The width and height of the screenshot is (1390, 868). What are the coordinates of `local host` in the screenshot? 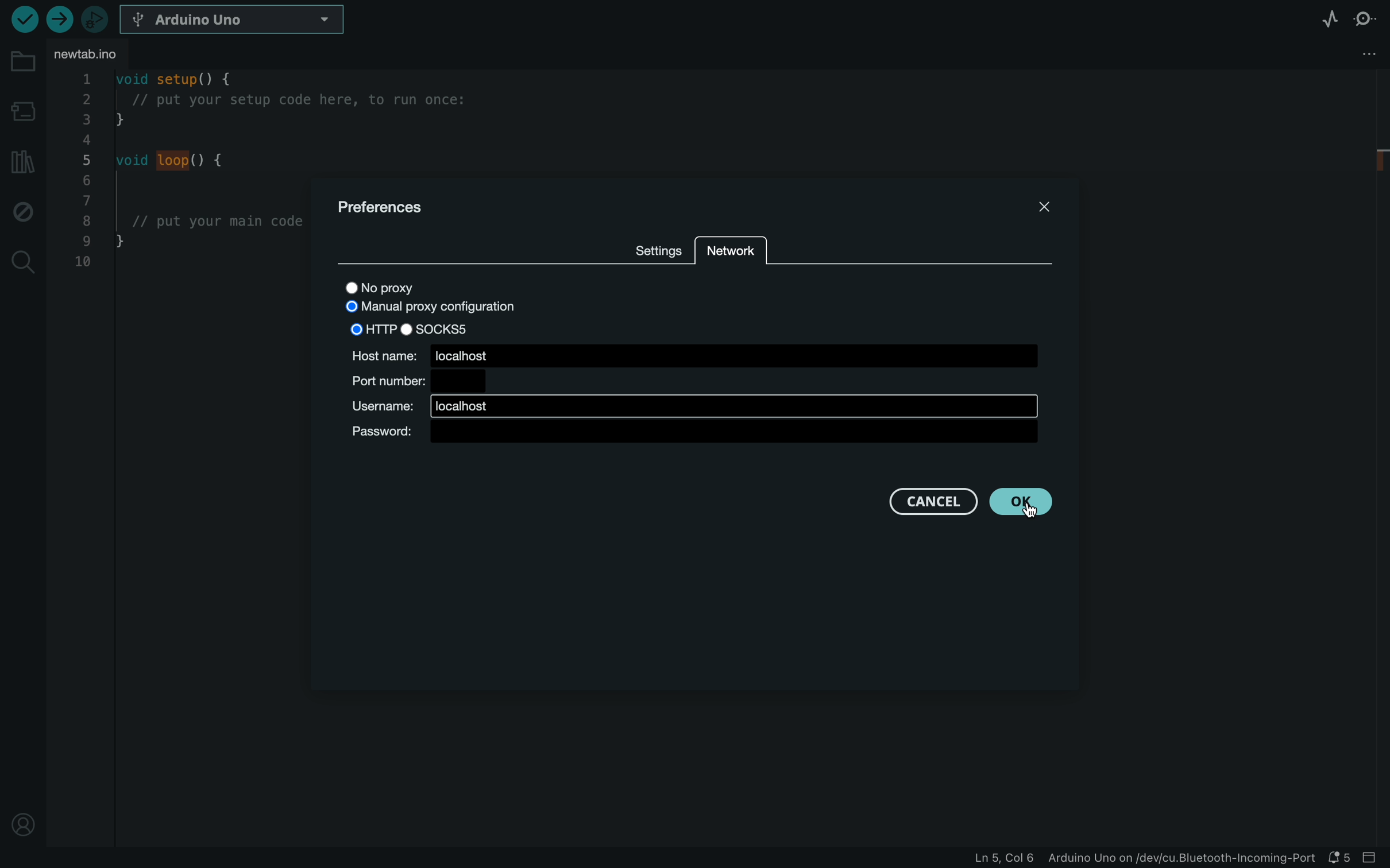 It's located at (693, 405).